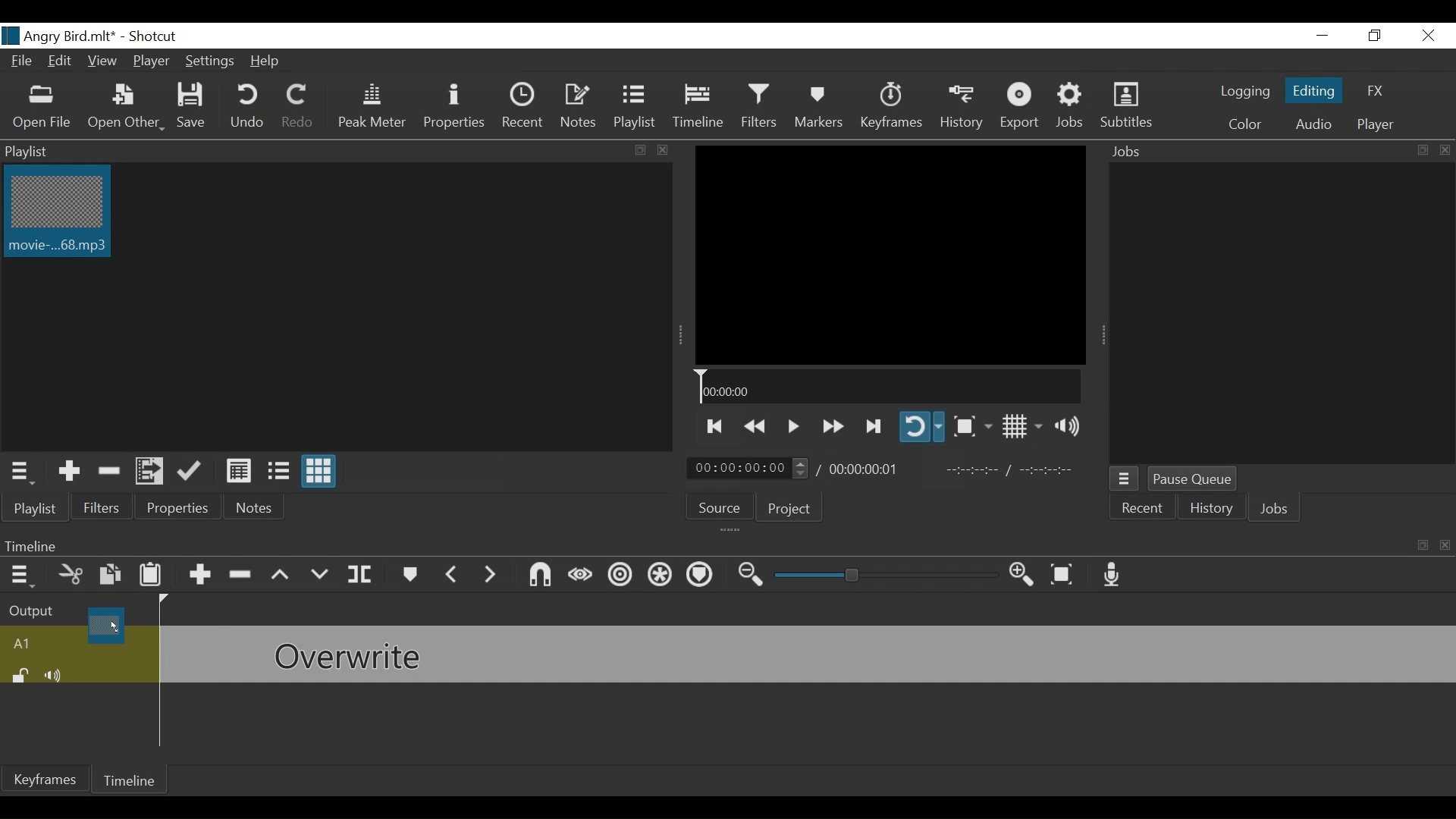 The height and width of the screenshot is (819, 1456). What do you see at coordinates (759, 106) in the screenshot?
I see `Filters` at bounding box center [759, 106].